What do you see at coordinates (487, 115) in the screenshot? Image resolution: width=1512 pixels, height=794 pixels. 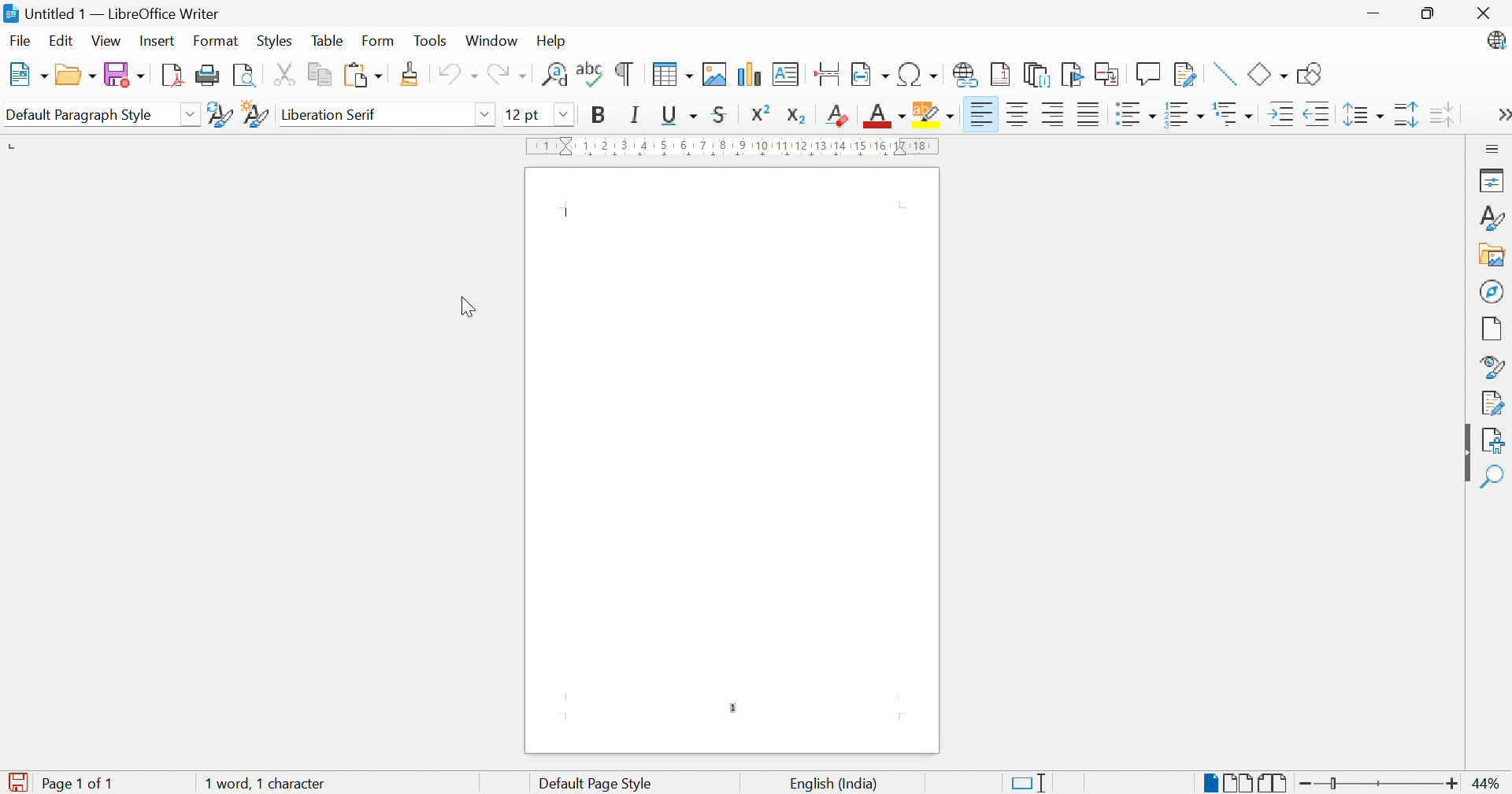 I see `Drop down` at bounding box center [487, 115].